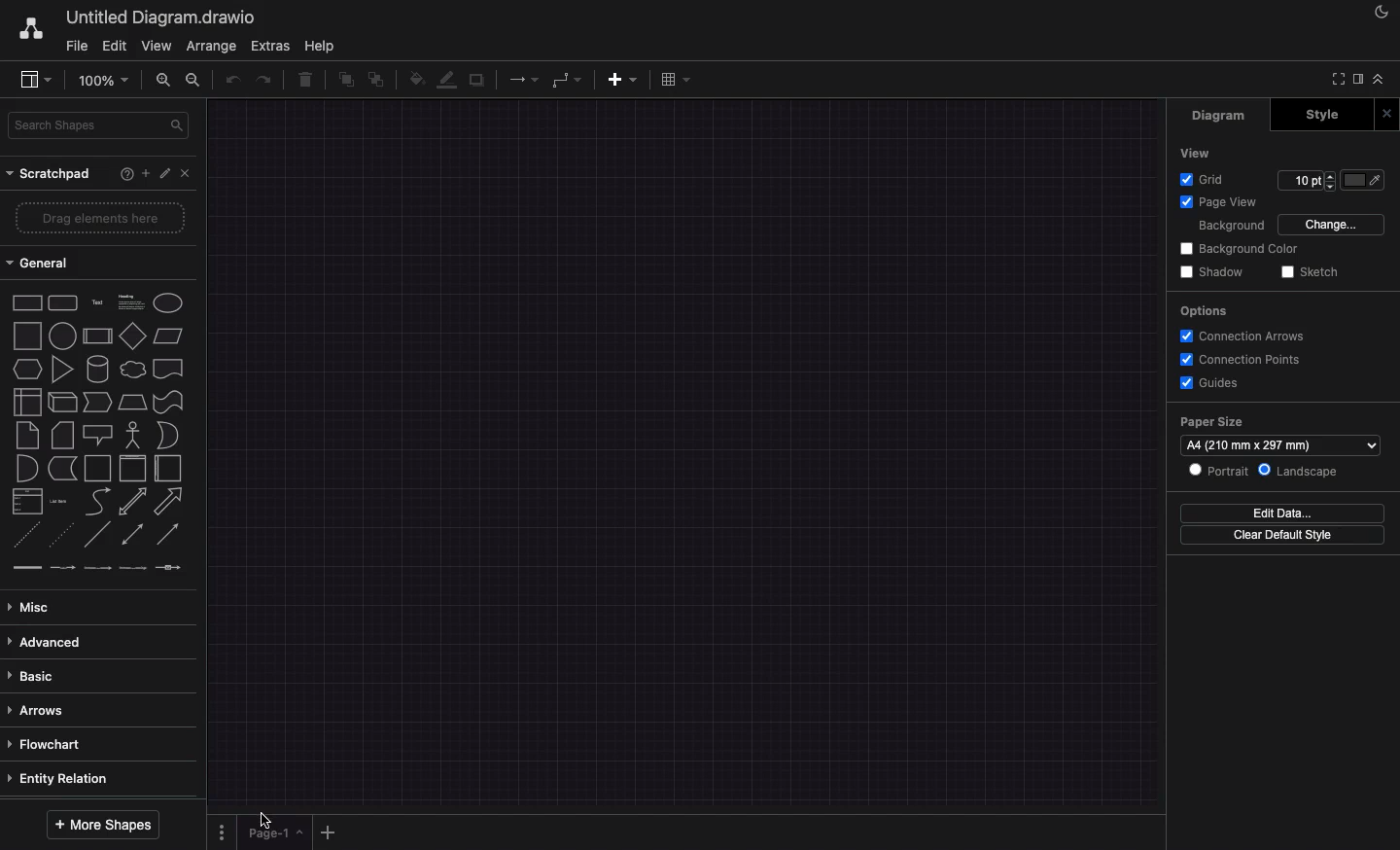 The image size is (1400, 850). What do you see at coordinates (27, 336) in the screenshot?
I see `square` at bounding box center [27, 336].